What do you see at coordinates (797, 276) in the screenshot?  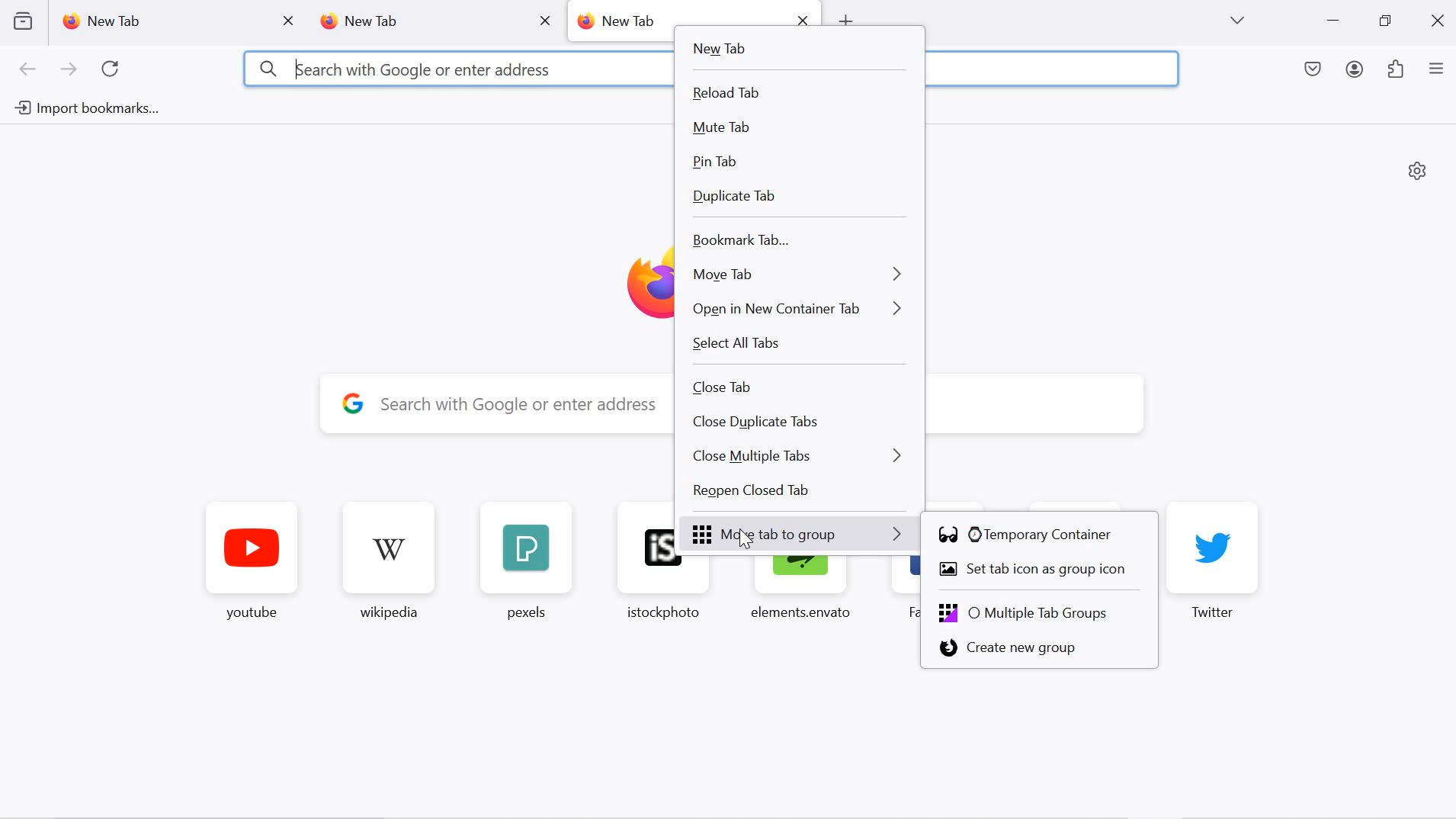 I see `move tab` at bounding box center [797, 276].